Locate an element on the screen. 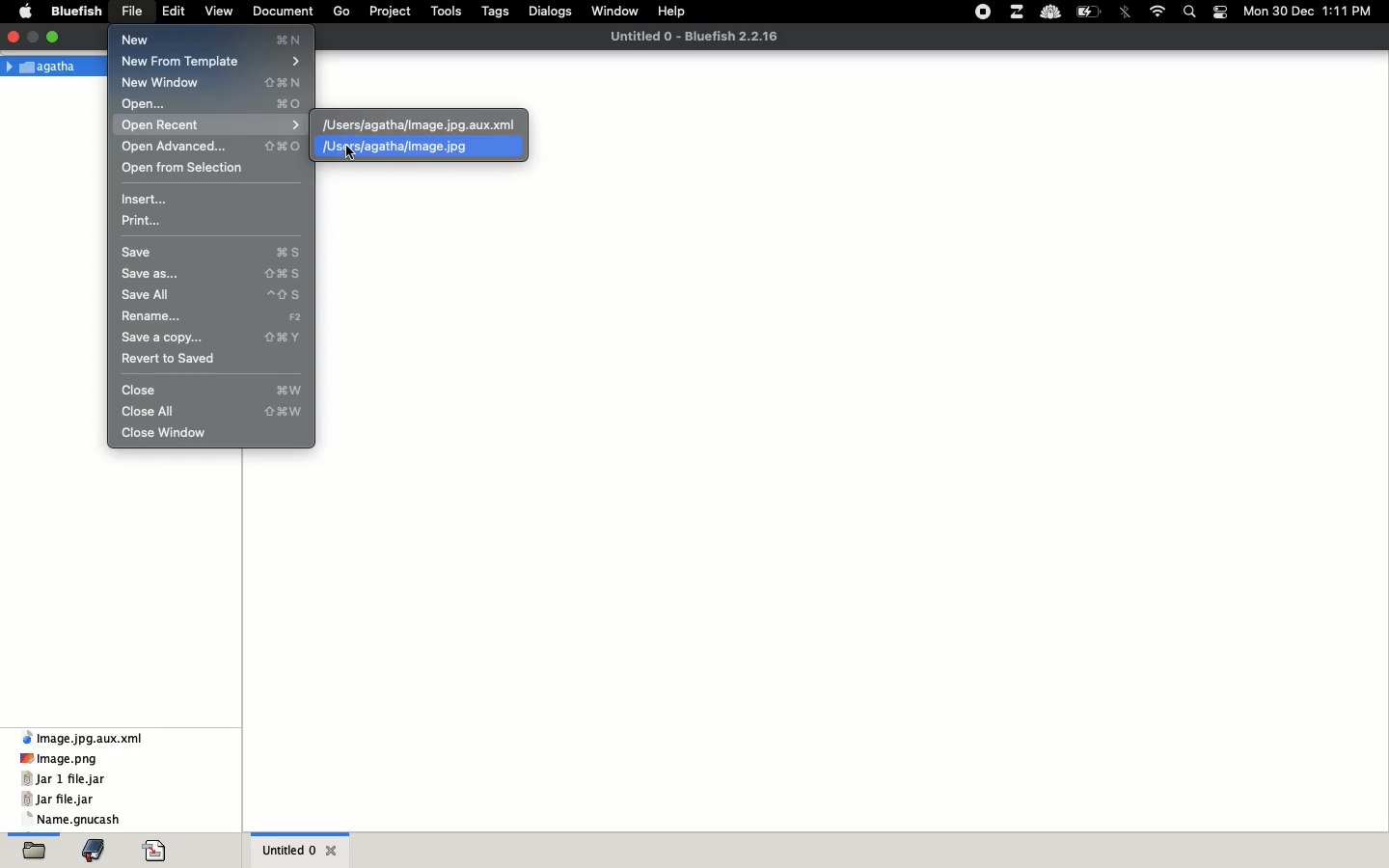  name.gnucash is located at coordinates (78, 820).